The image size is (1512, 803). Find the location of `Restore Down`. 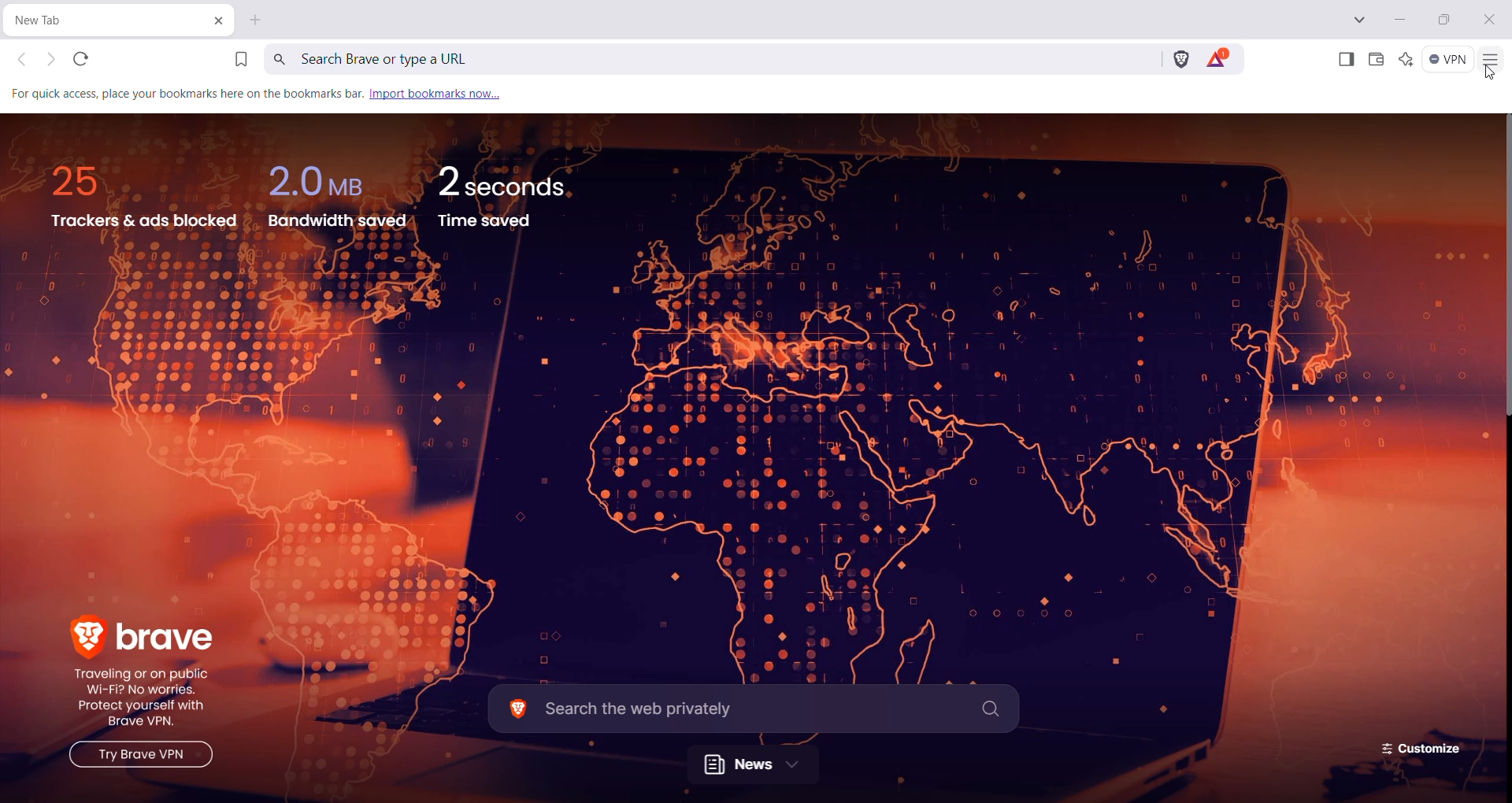

Restore Down is located at coordinates (1443, 20).